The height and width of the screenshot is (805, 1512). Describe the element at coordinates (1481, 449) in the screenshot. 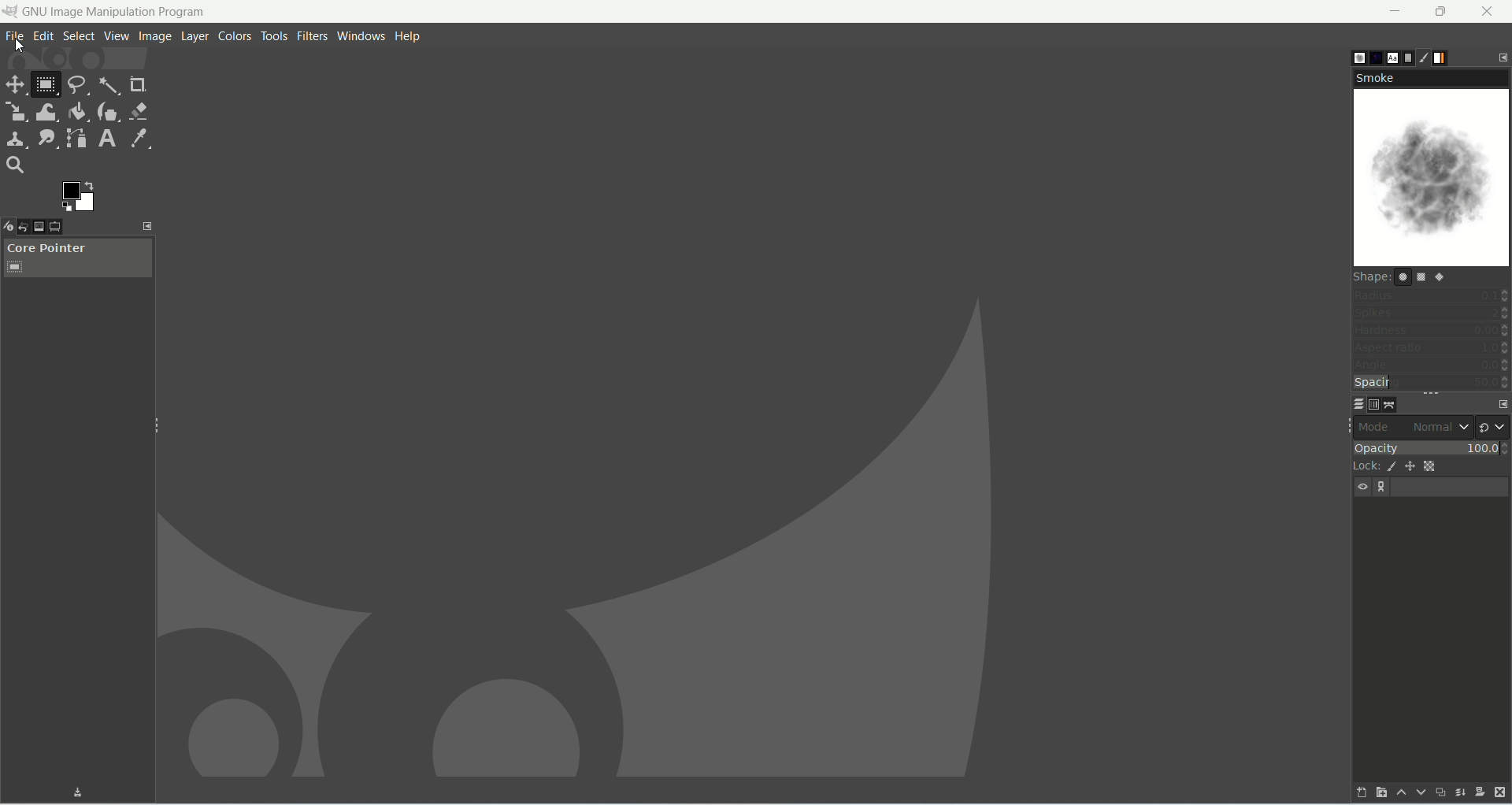

I see `100` at that location.